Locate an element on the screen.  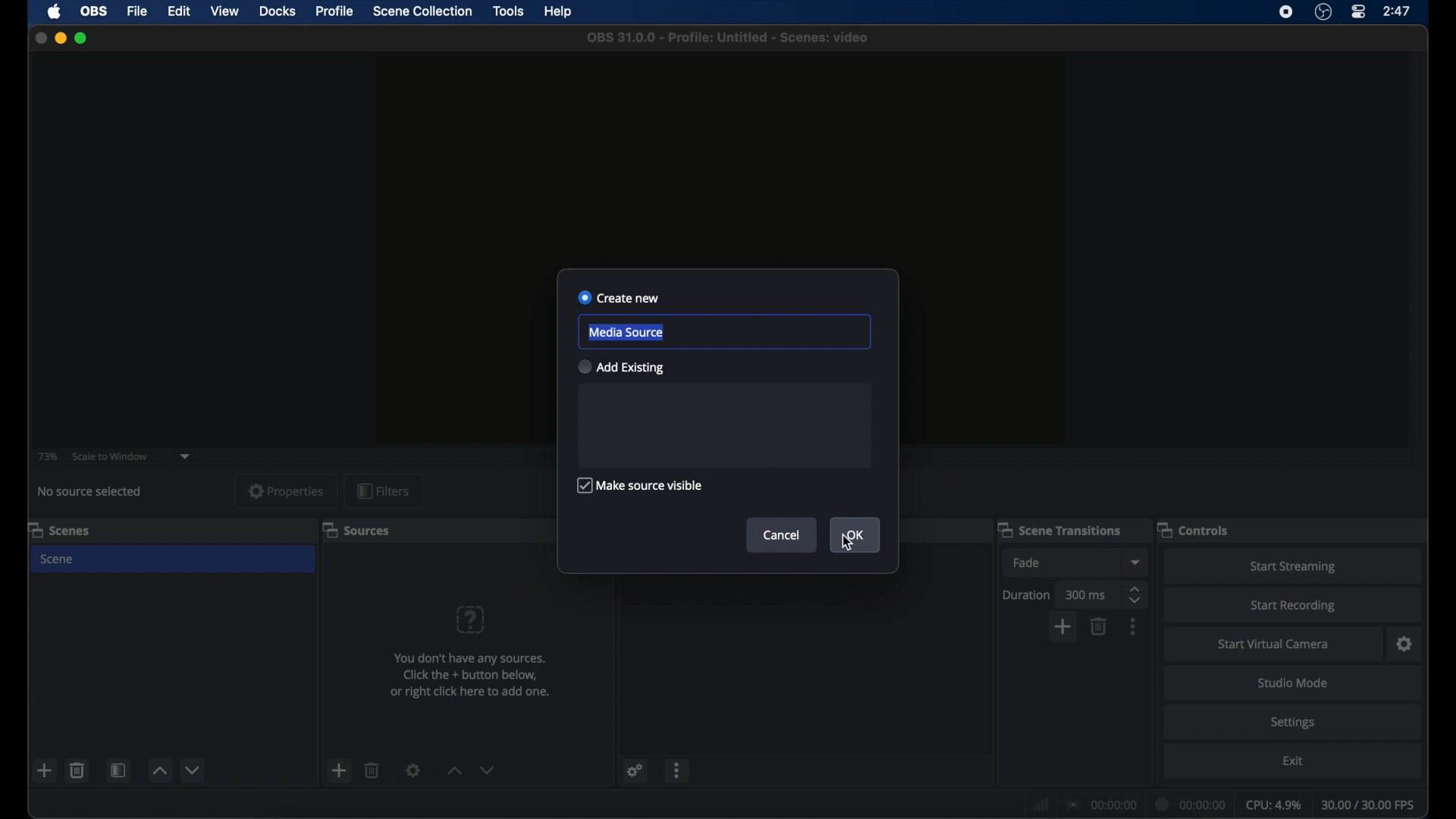
make source visible is located at coordinates (639, 485).